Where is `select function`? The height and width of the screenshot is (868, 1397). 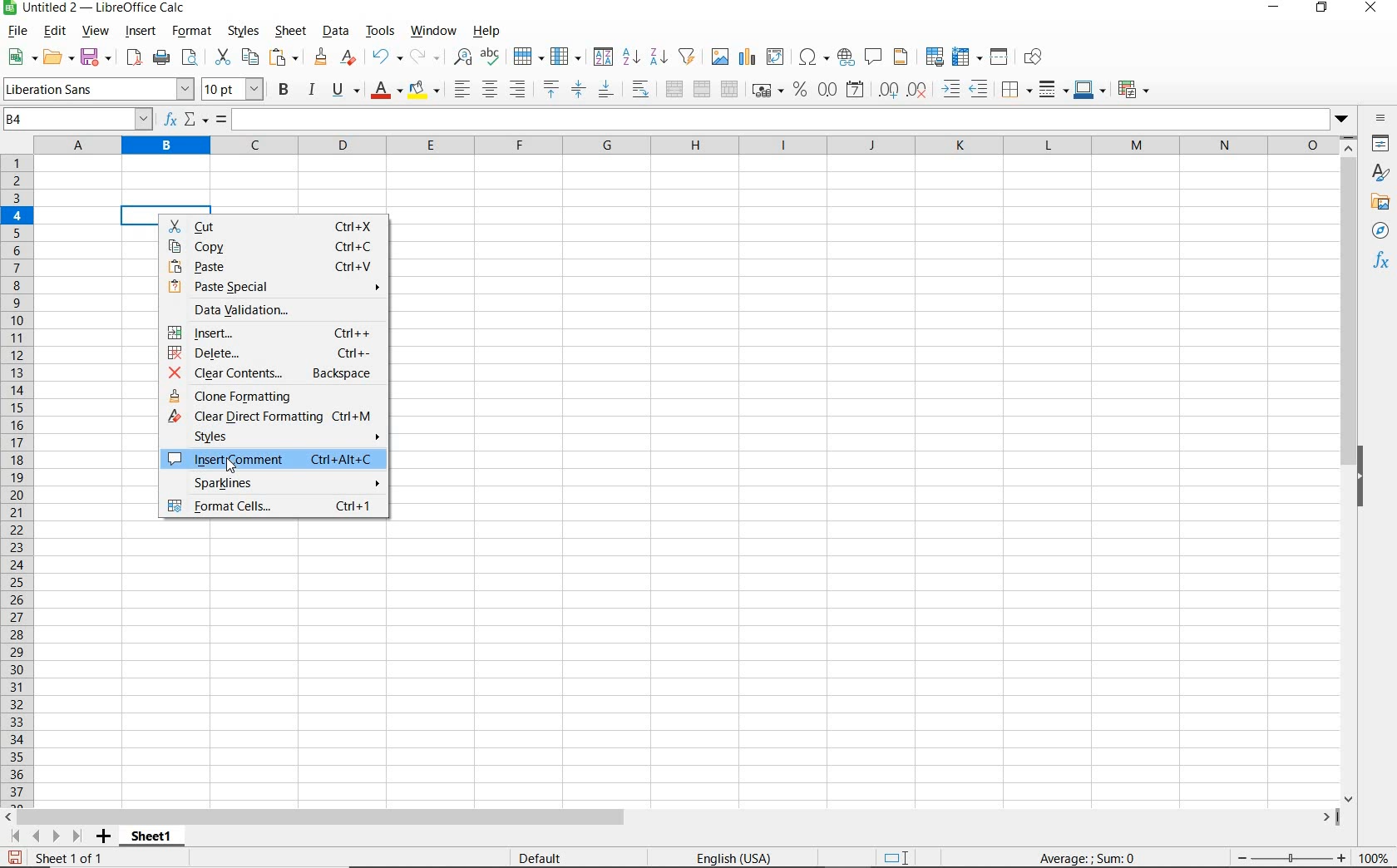
select function is located at coordinates (196, 120).